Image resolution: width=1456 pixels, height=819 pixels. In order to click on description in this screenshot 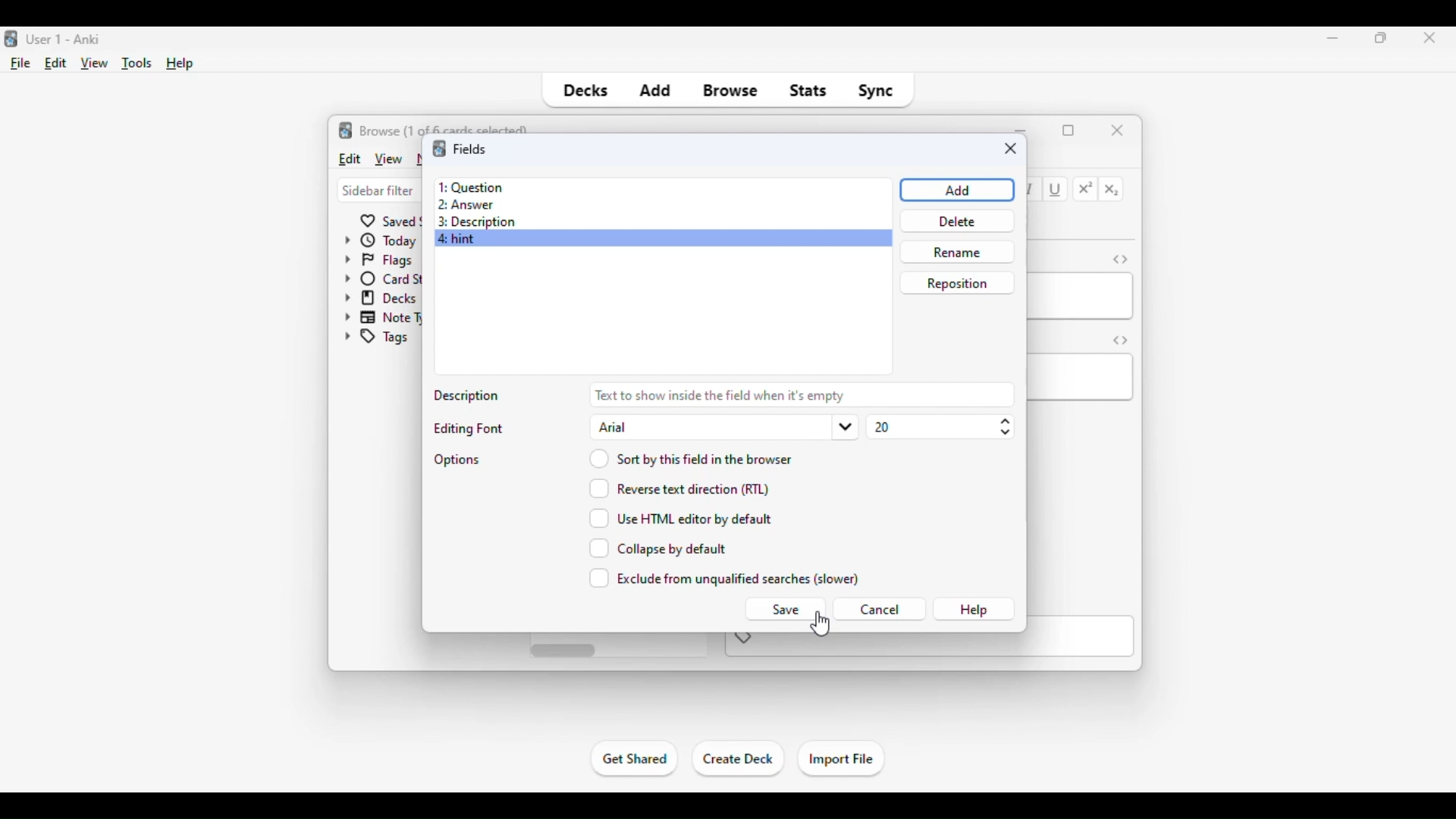, I will do `click(468, 397)`.